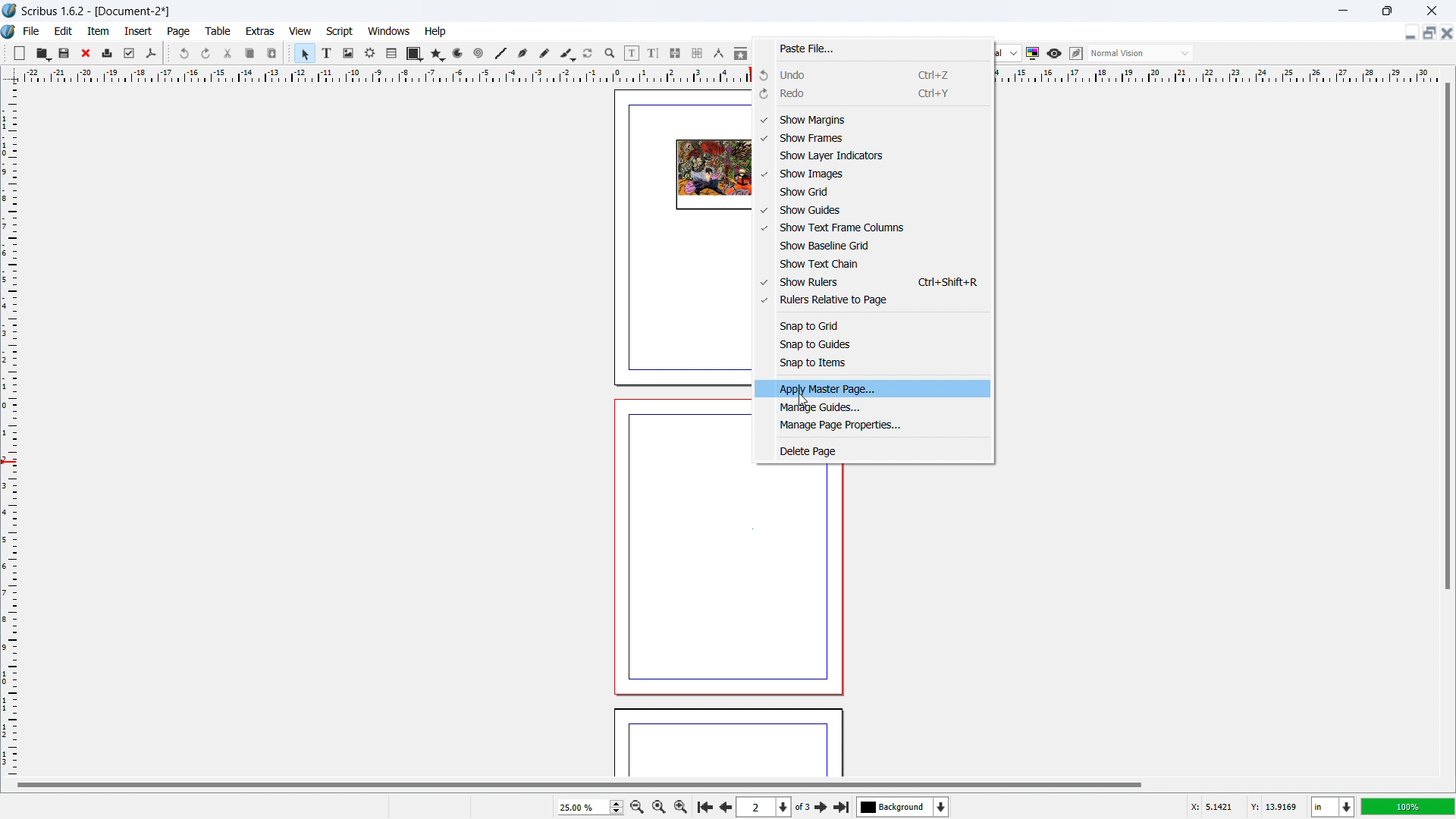 Image resolution: width=1456 pixels, height=819 pixels. What do you see at coordinates (5, 52) in the screenshot?
I see `move toolbox` at bounding box center [5, 52].